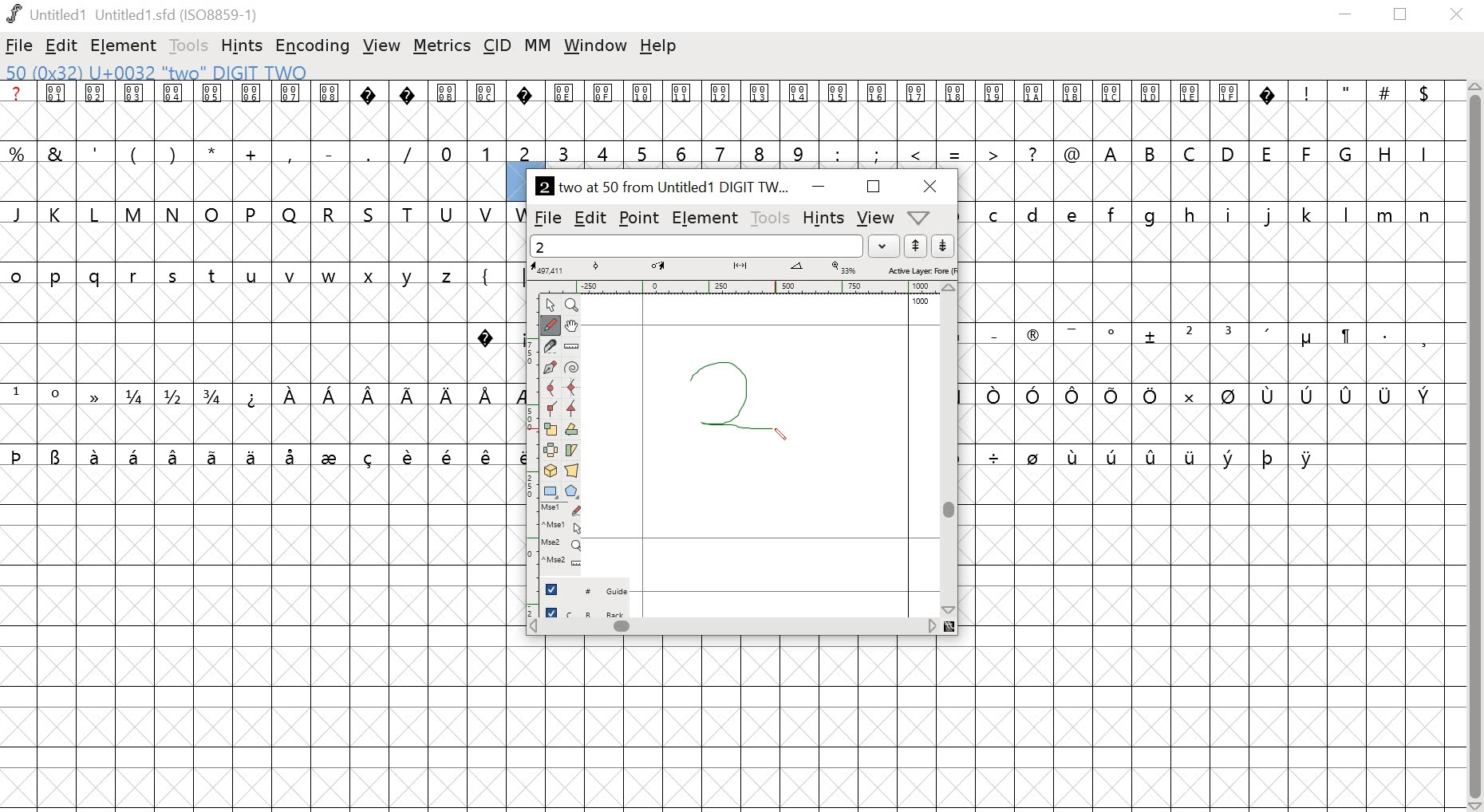 This screenshot has width=1484, height=812. I want to click on metrics, window, help, so click(922, 218).